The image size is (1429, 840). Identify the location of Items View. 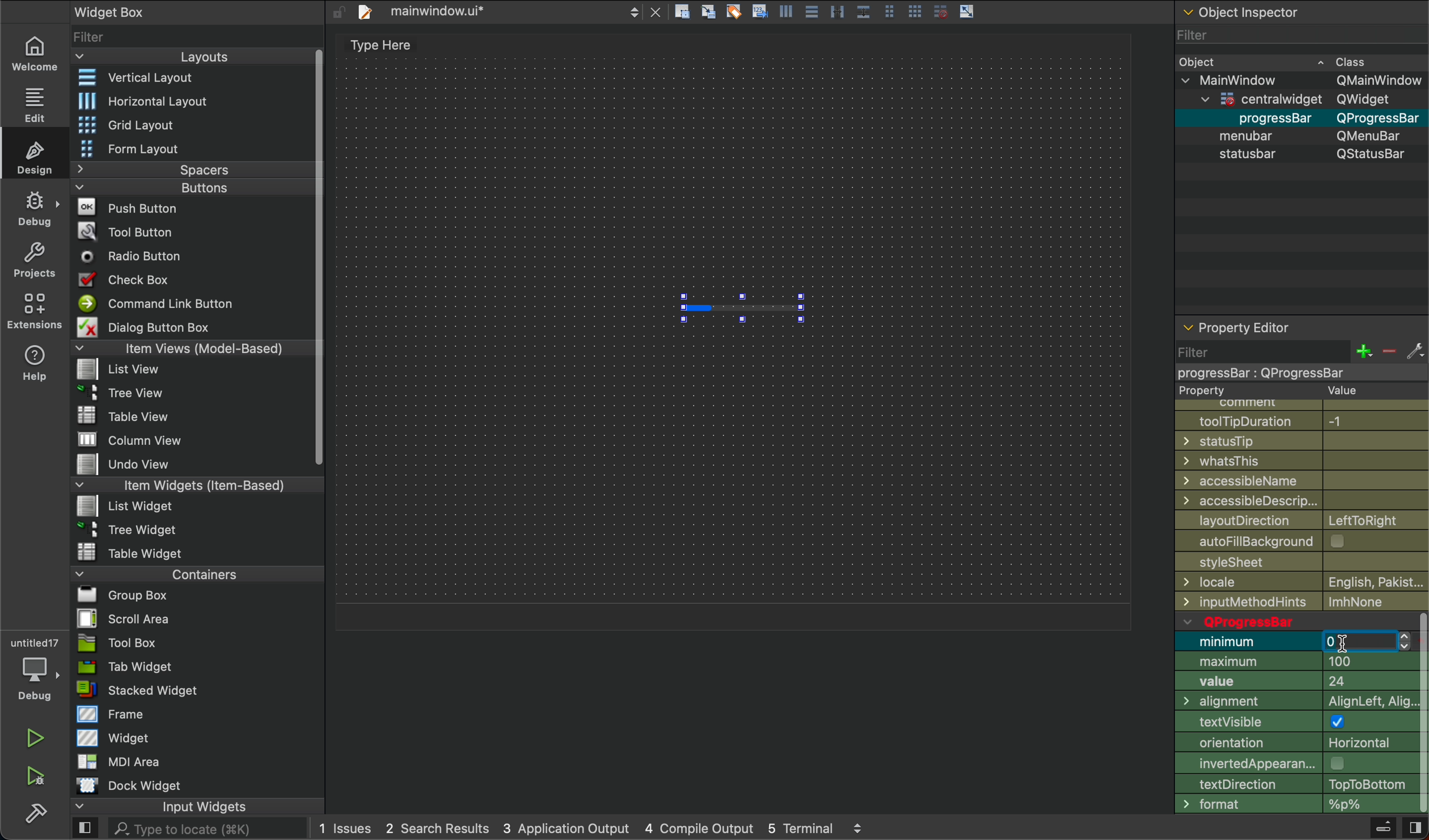
(188, 347).